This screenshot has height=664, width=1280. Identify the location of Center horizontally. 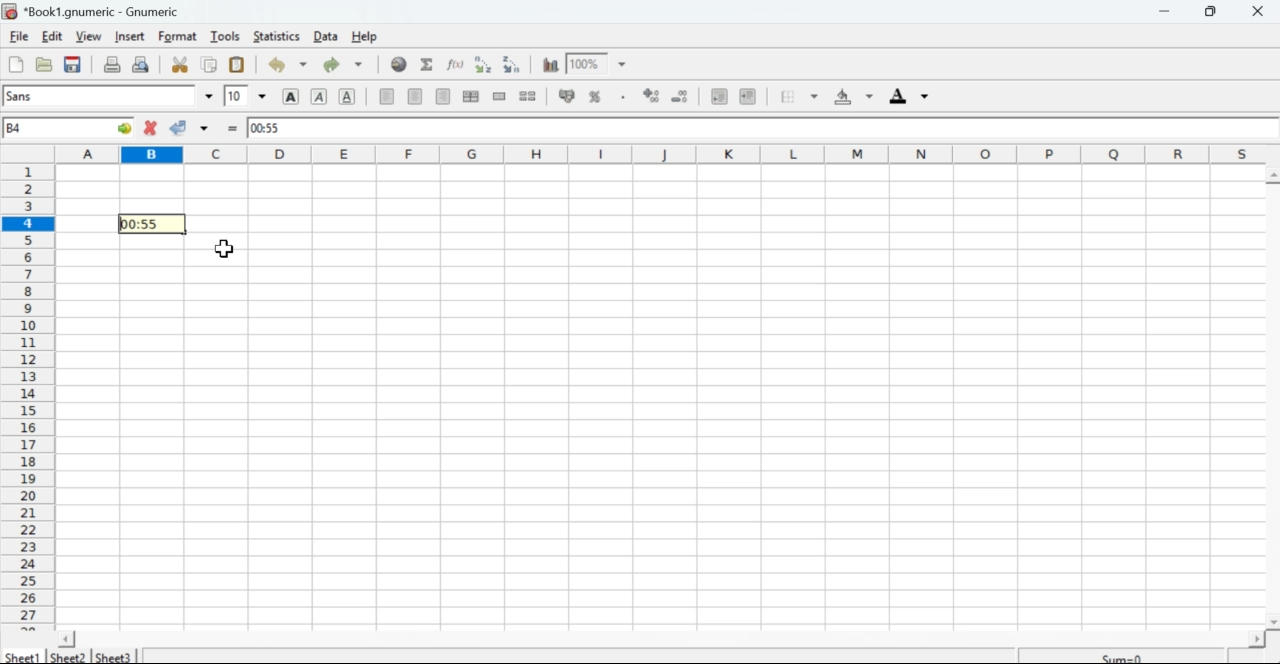
(416, 97).